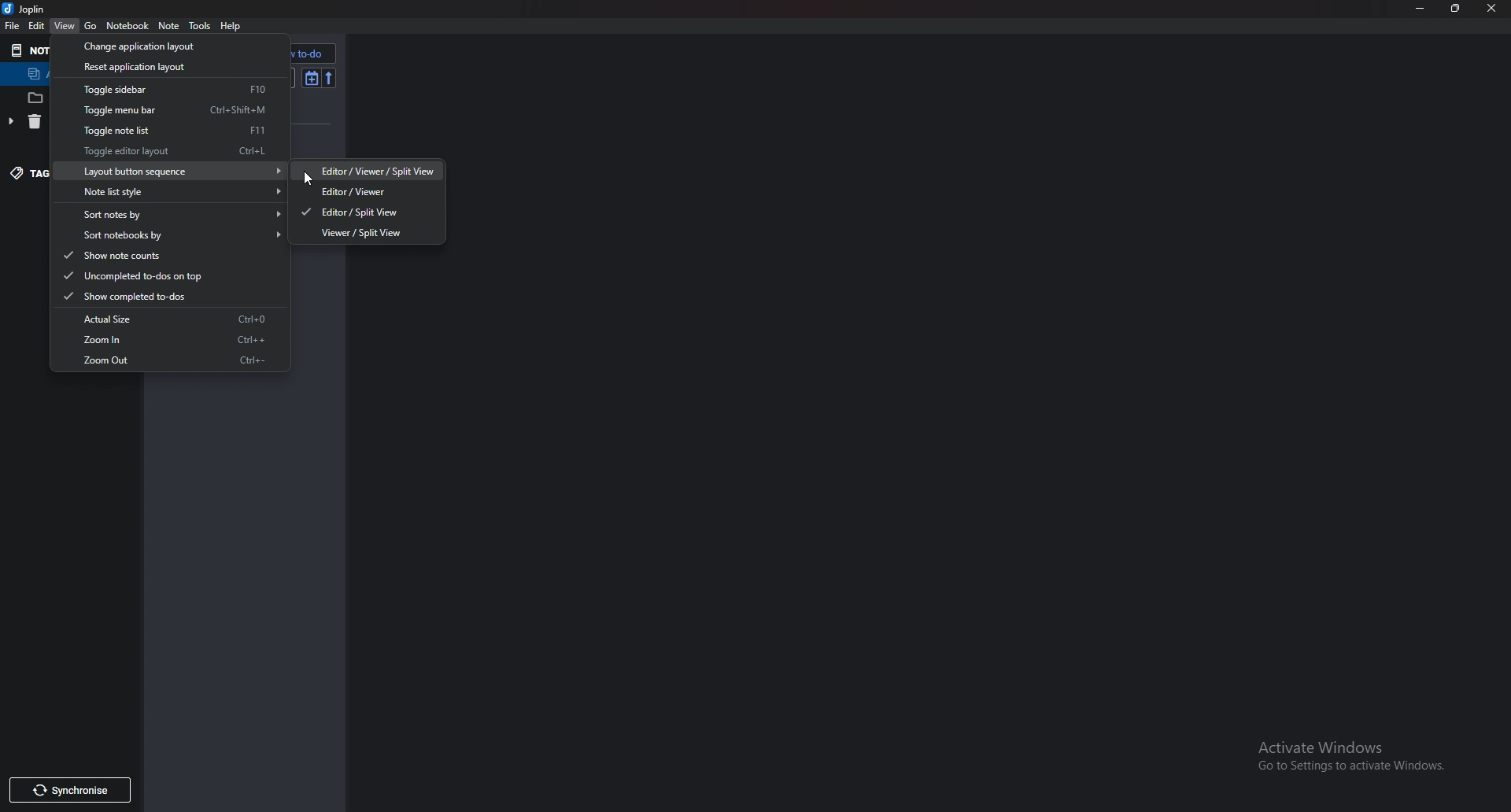 The width and height of the screenshot is (1511, 812). Describe the element at coordinates (176, 172) in the screenshot. I see `Layout button sequence` at that location.